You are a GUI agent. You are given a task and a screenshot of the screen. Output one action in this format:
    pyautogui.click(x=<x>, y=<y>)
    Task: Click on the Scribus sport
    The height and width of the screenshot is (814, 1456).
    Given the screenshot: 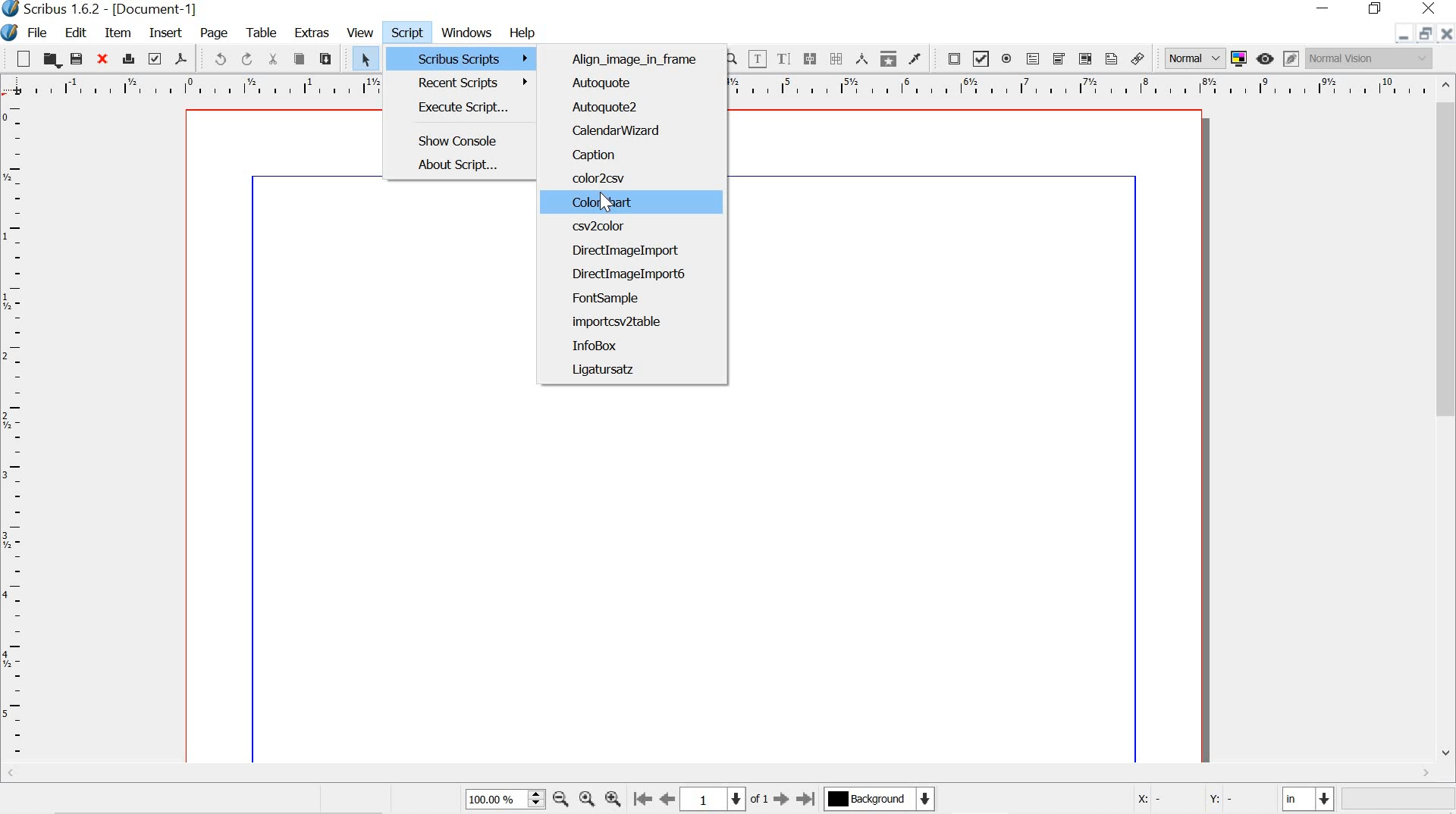 What is the action you would take?
    pyautogui.click(x=475, y=58)
    